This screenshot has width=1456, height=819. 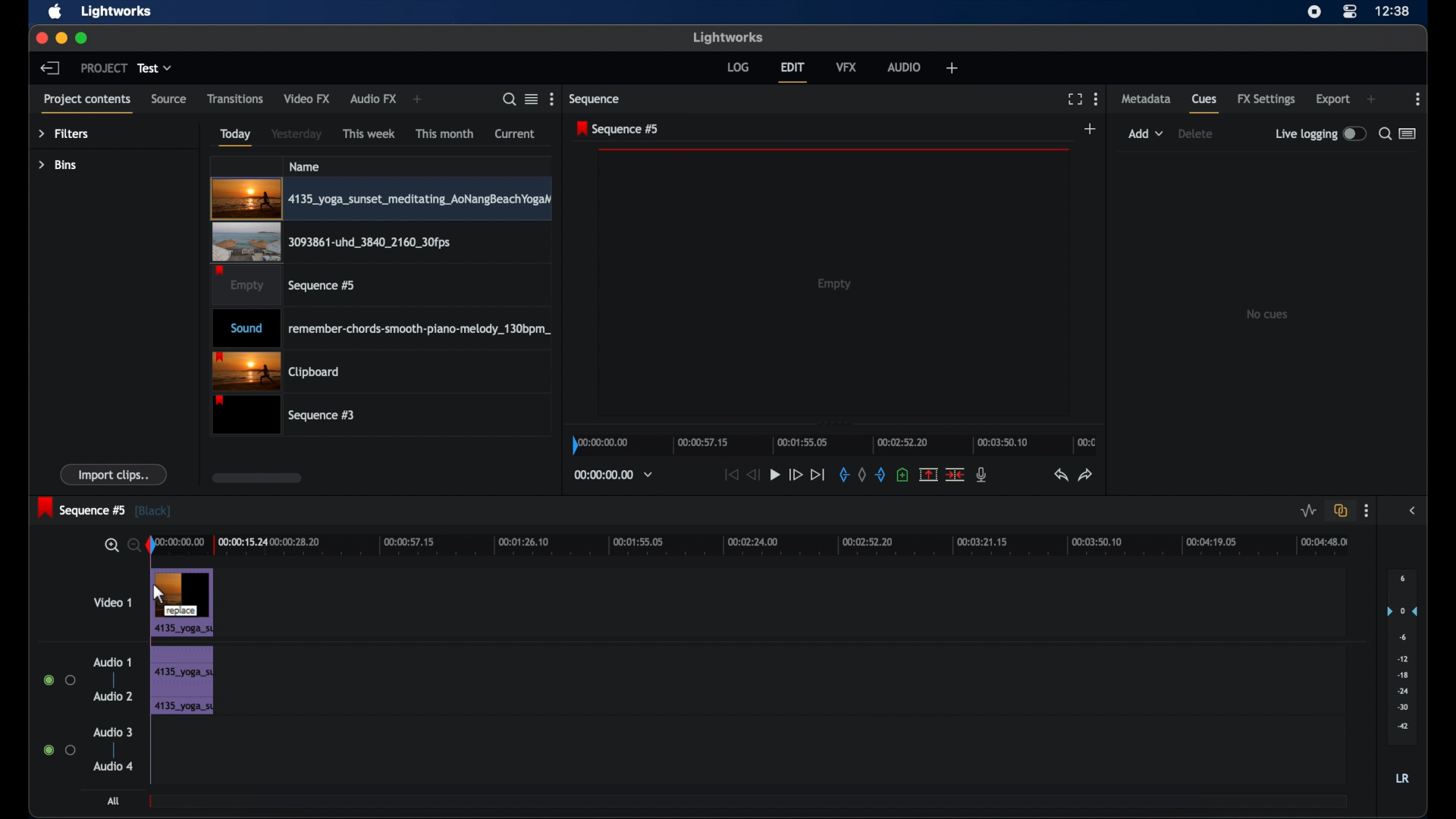 What do you see at coordinates (792, 71) in the screenshot?
I see `edit` at bounding box center [792, 71].